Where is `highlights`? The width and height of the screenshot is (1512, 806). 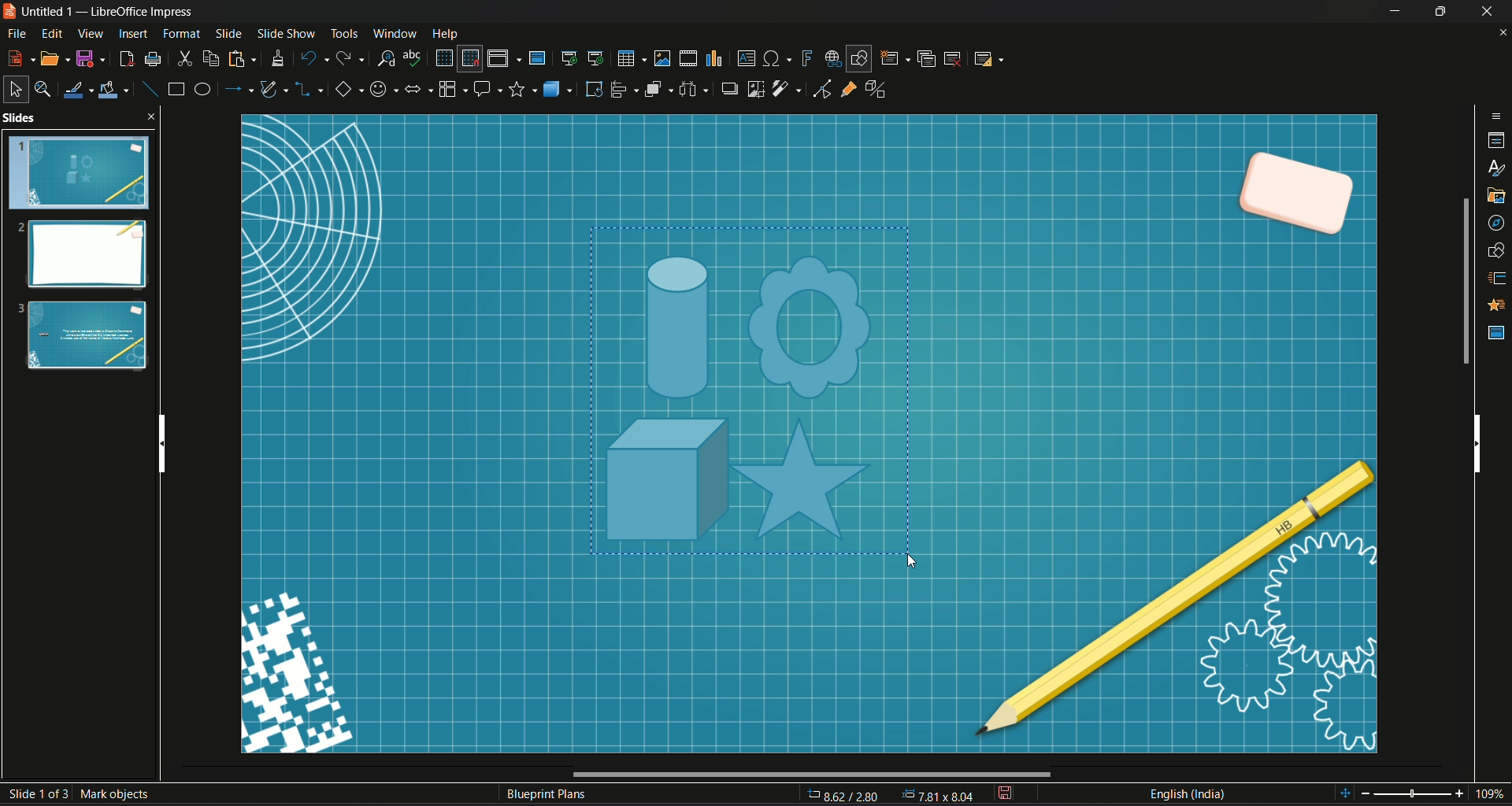
highlights is located at coordinates (769, 401).